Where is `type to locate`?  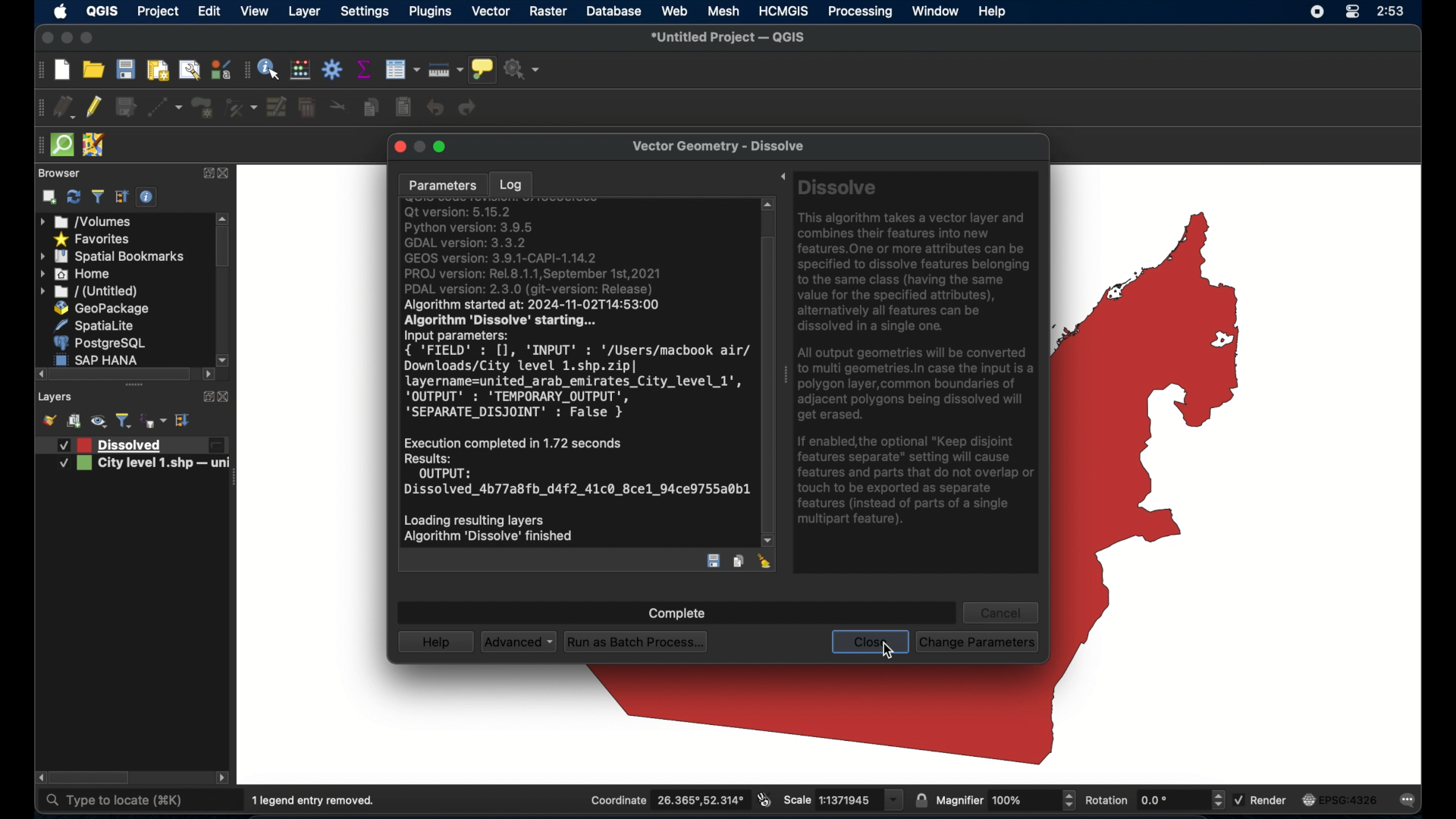
type to locate is located at coordinates (113, 801).